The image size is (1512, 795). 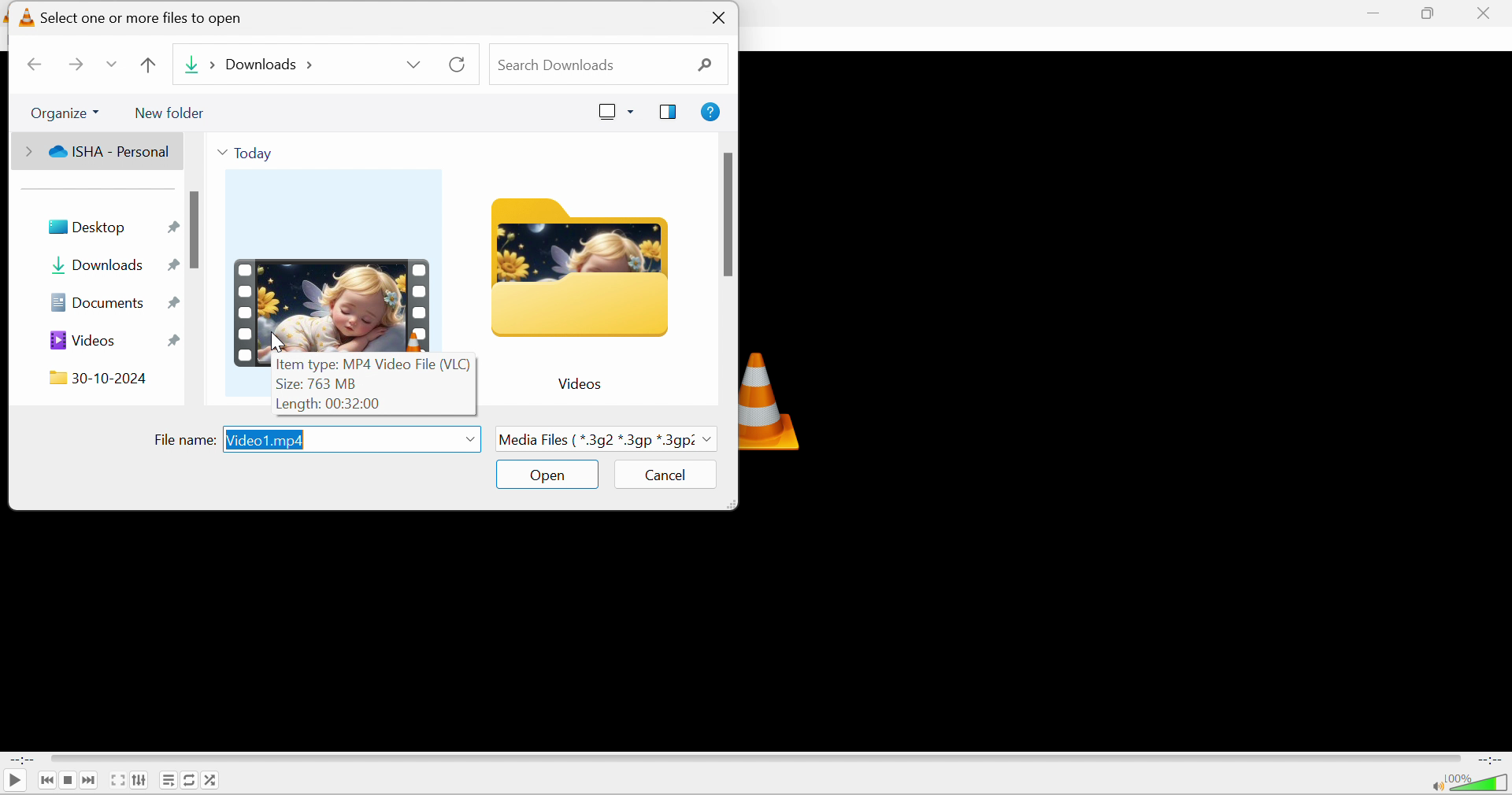 I want to click on Toggle playlist, so click(x=168, y=780).